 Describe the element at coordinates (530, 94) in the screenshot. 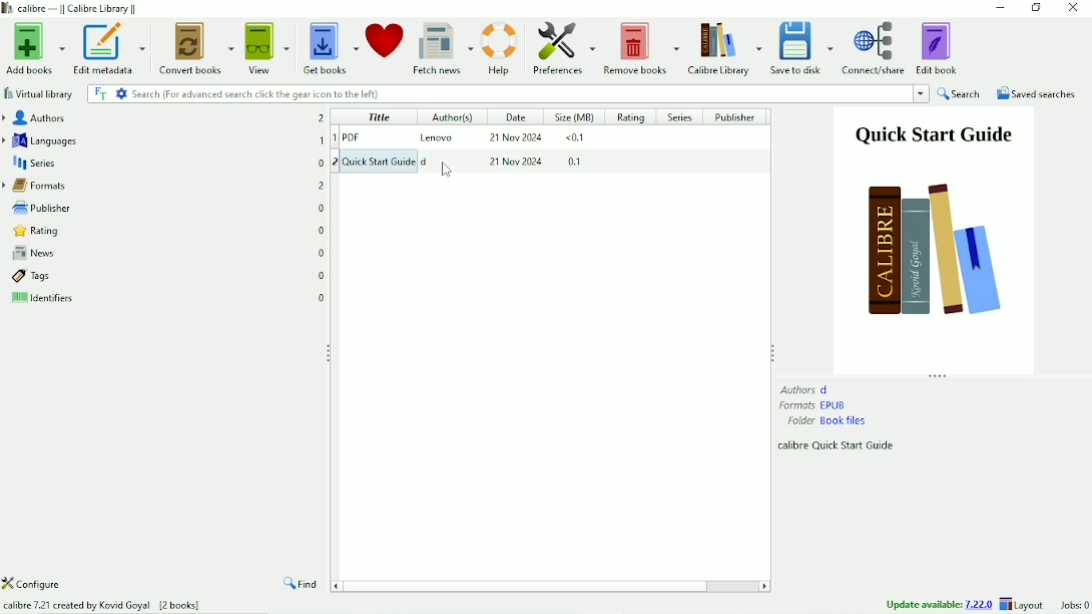

I see `Search` at that location.